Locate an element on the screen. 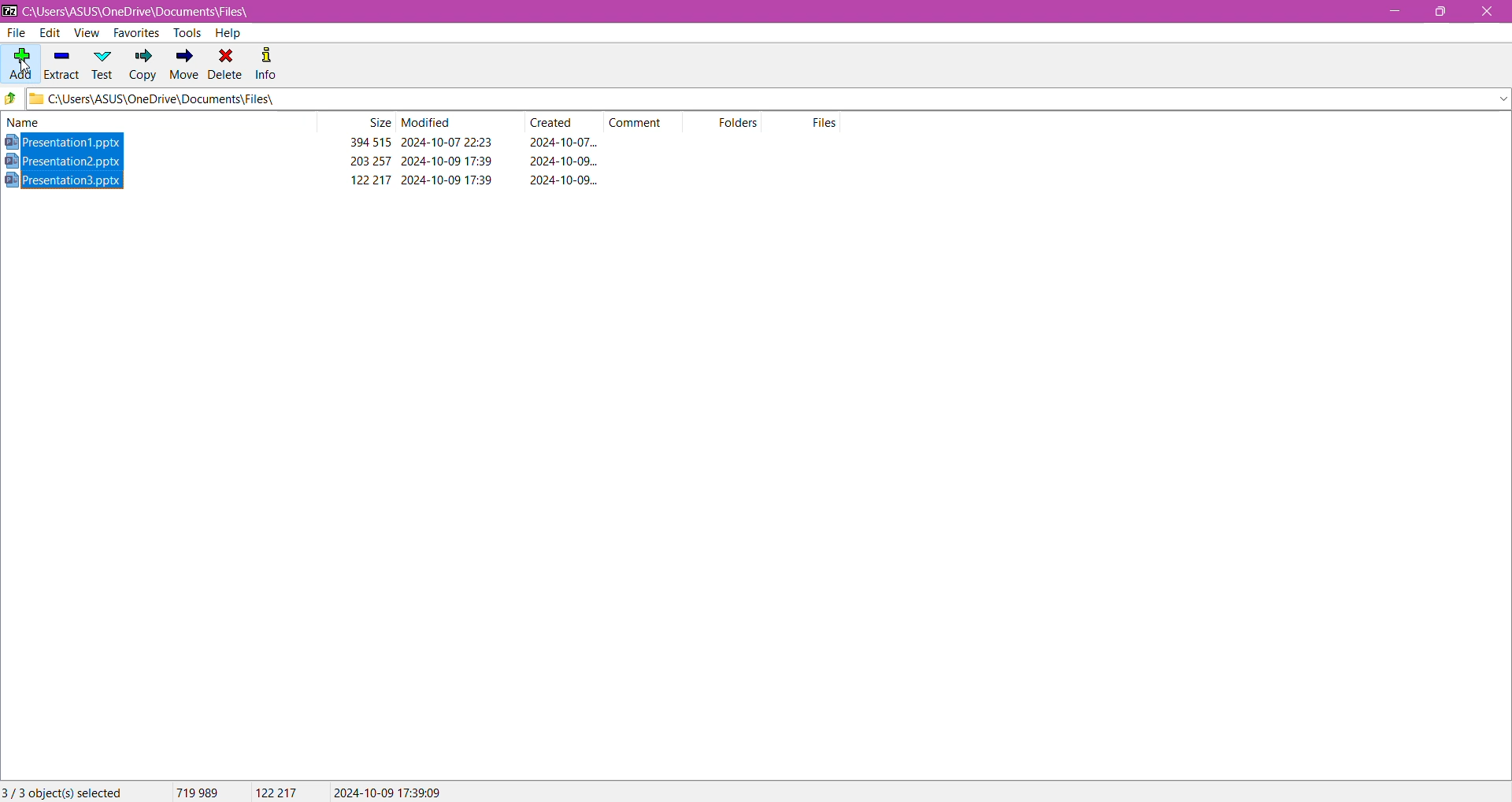 The image size is (1512, 802). 2024-10-07 17:39:09 is located at coordinates (387, 791).